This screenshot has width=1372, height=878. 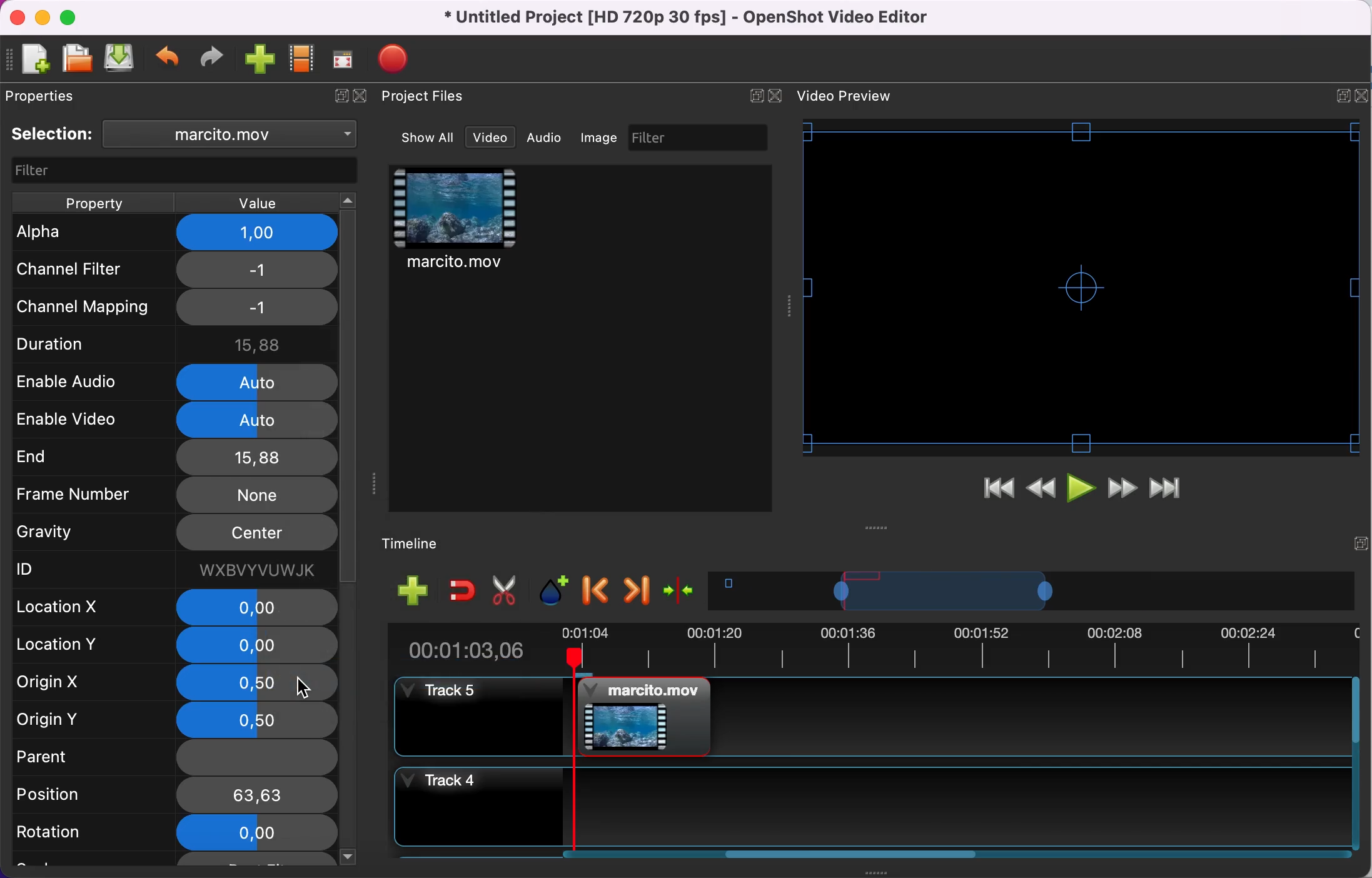 I want to click on cut, so click(x=505, y=591).